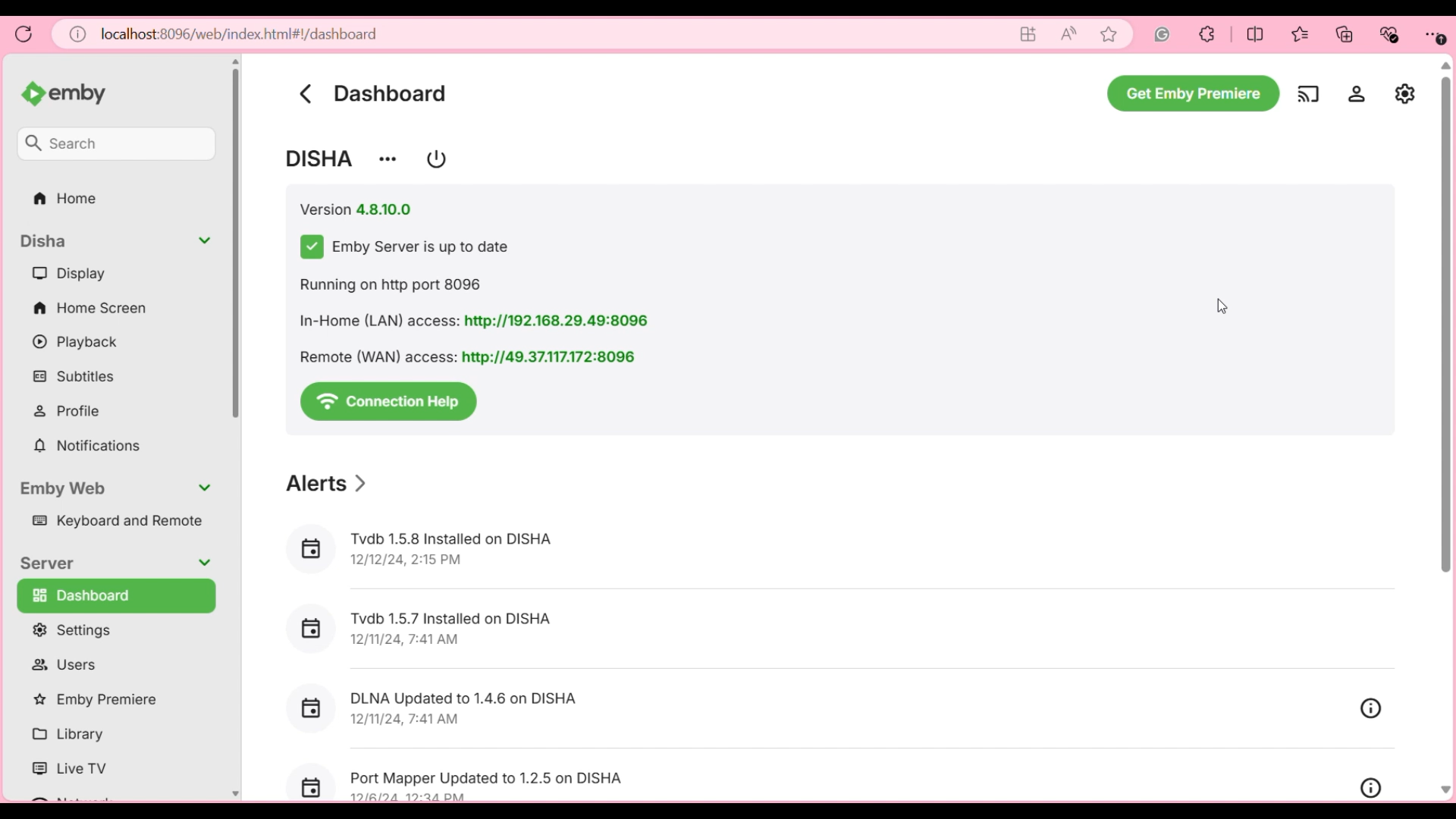 The image size is (1456, 819). I want to click on Browser settings, so click(1434, 35).